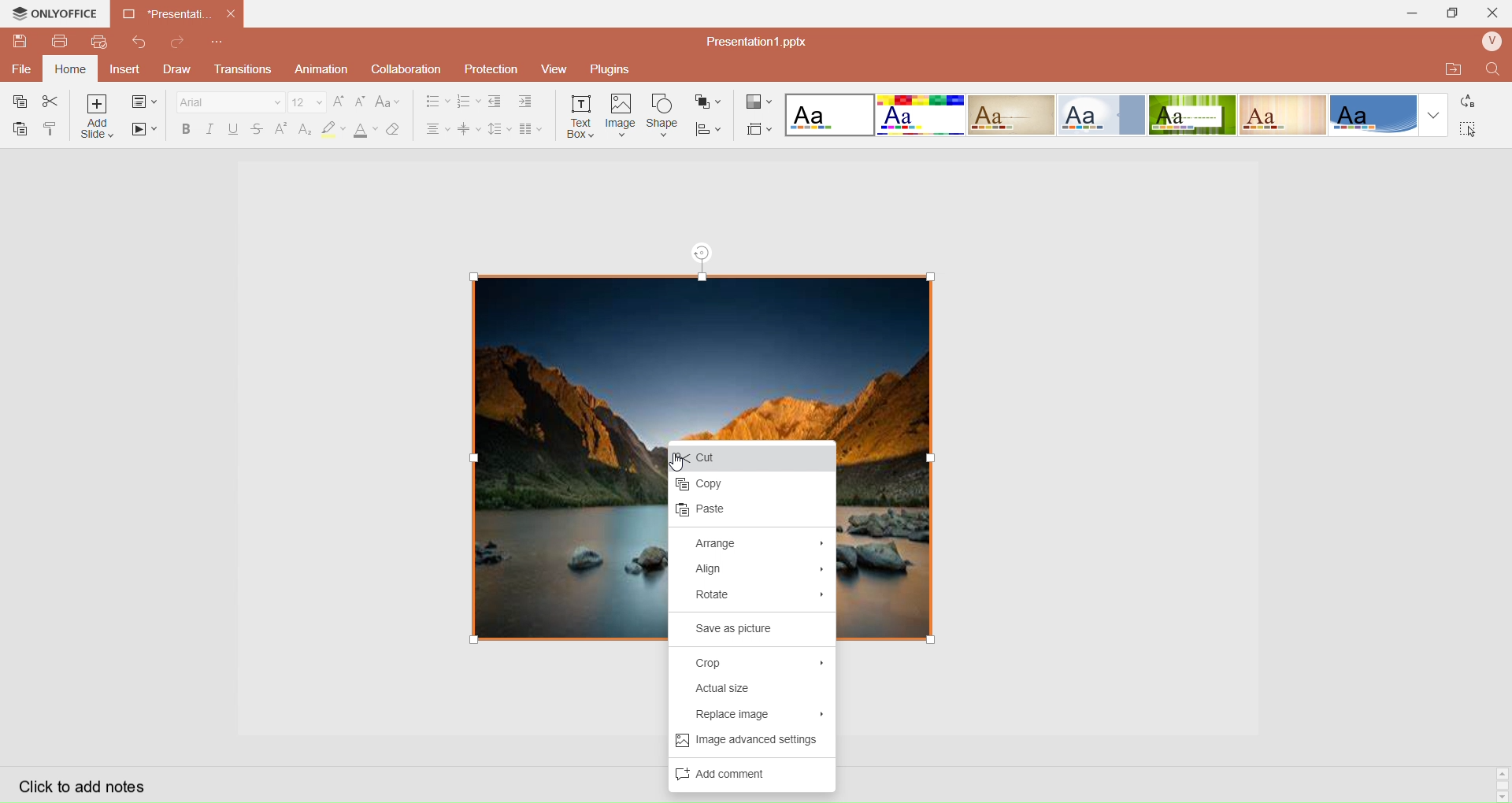 The width and height of the screenshot is (1512, 803). I want to click on Replace, so click(1469, 100).